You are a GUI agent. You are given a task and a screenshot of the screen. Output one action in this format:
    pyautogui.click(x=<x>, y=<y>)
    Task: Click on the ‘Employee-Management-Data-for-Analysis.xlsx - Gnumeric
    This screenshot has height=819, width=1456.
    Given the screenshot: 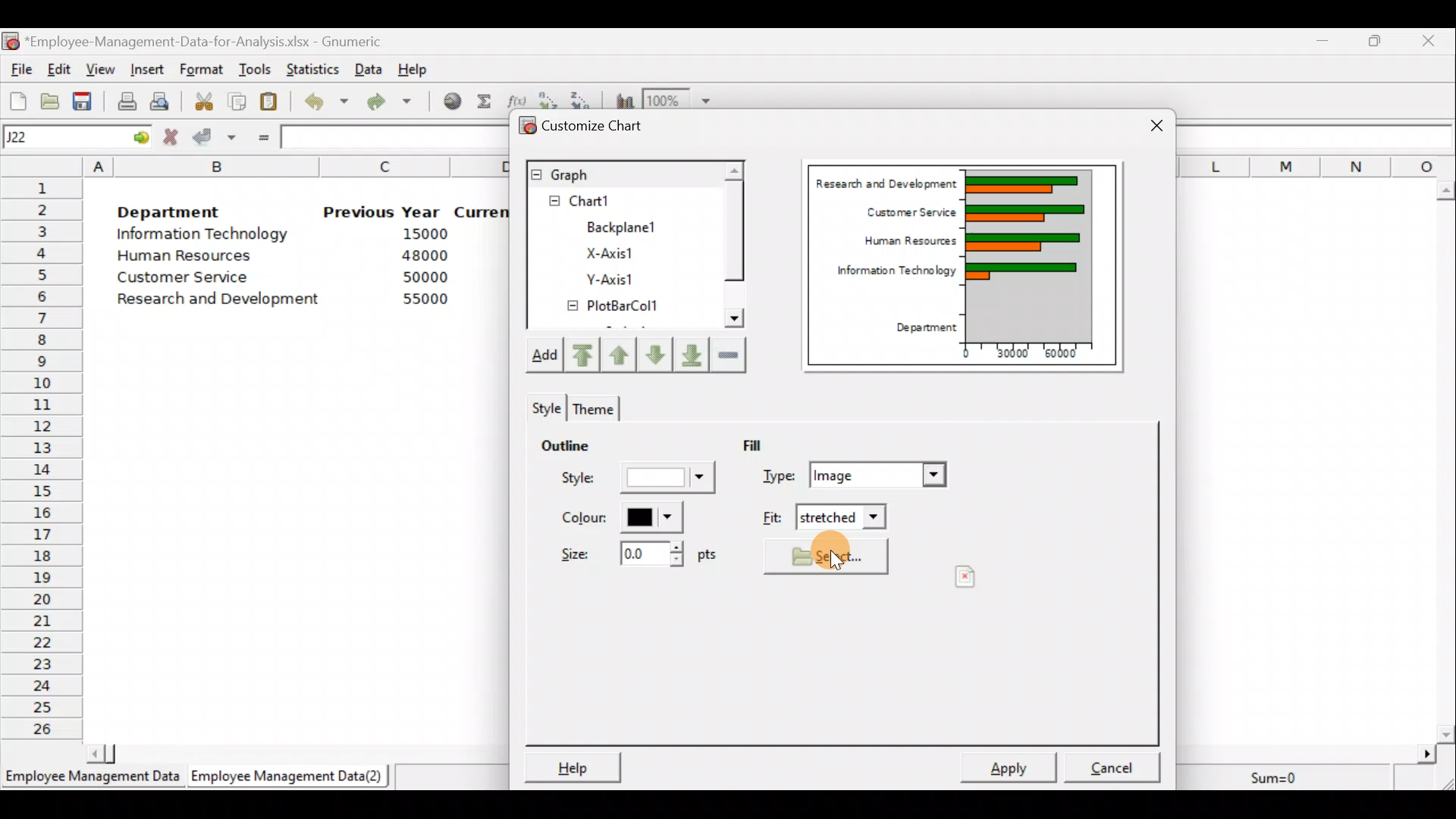 What is the action you would take?
    pyautogui.click(x=219, y=42)
    